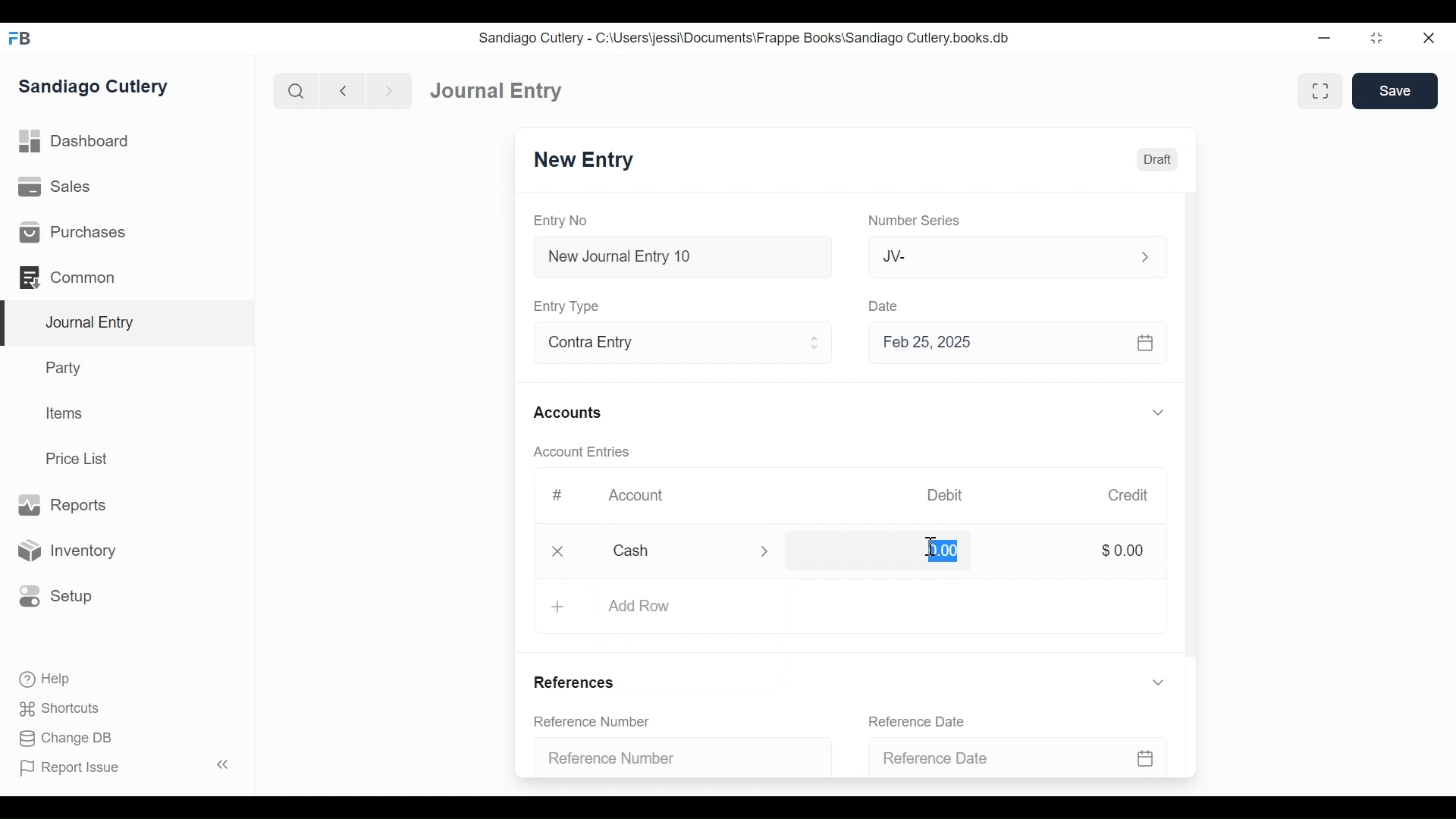 This screenshot has width=1456, height=819. I want to click on Vertical Scroll bar, so click(1194, 434).